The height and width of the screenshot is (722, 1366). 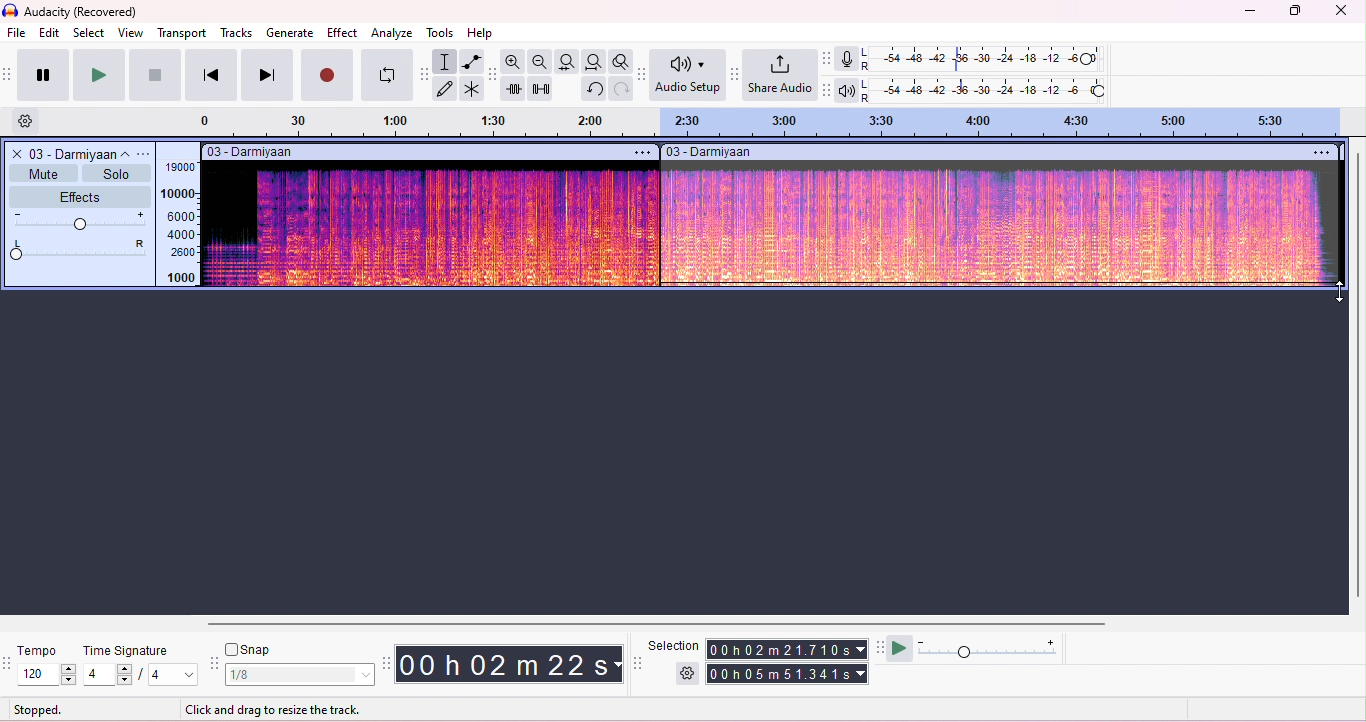 I want to click on close, so click(x=15, y=153).